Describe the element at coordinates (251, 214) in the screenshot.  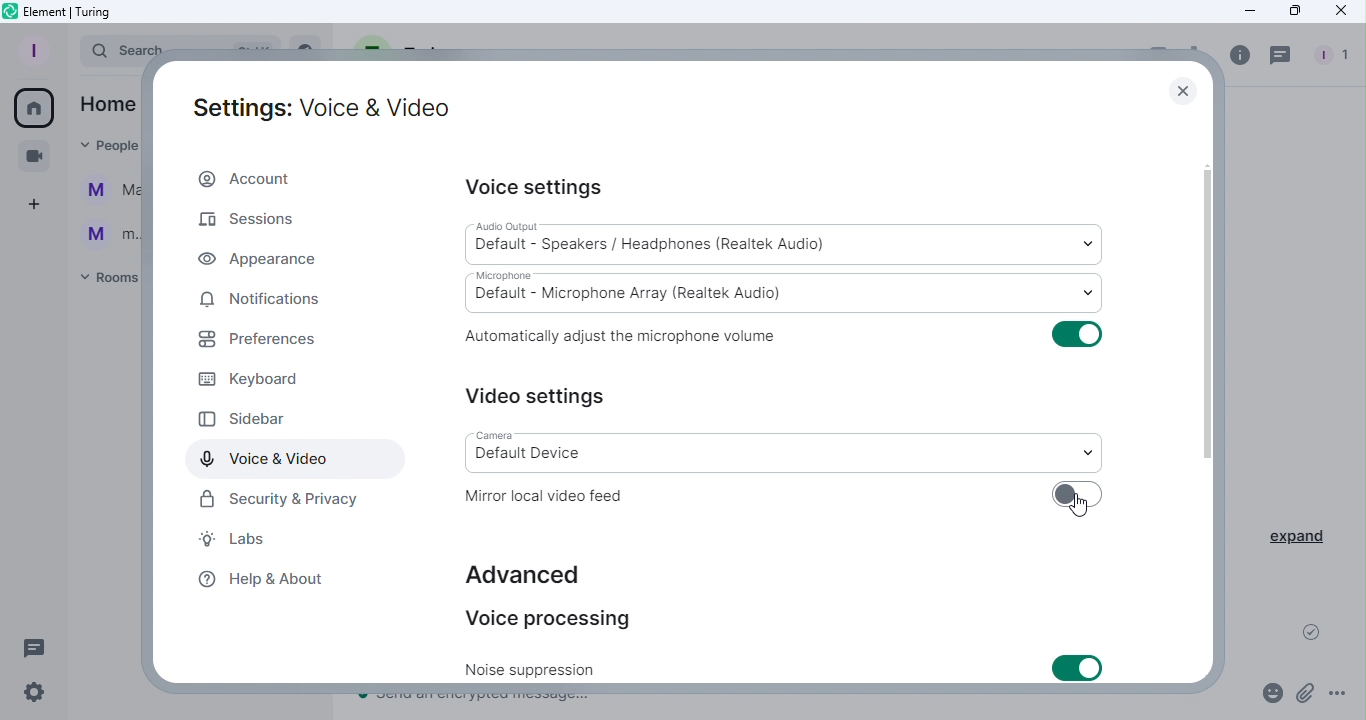
I see `Sessions` at that location.